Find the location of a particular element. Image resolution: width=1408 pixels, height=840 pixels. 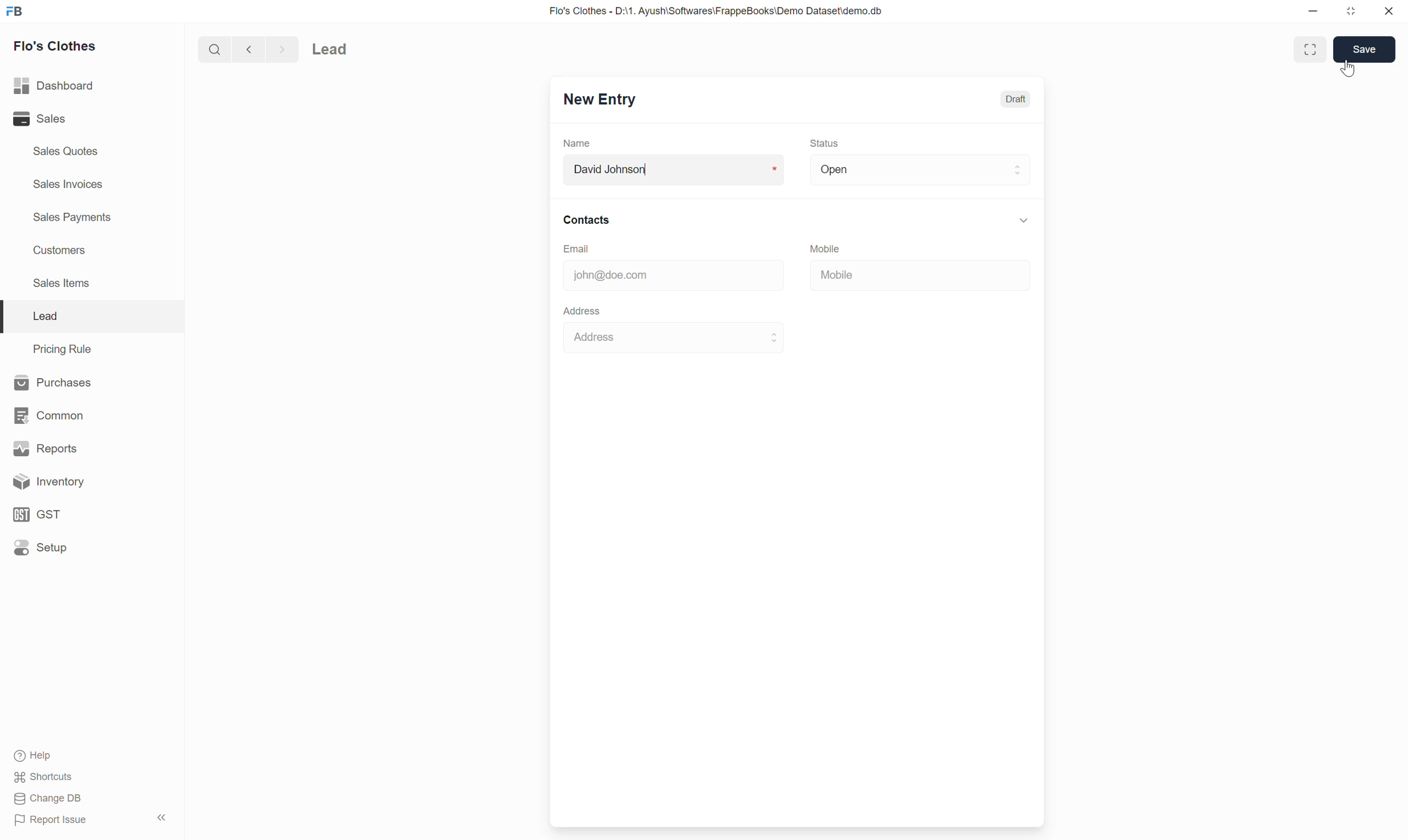

New Entry is located at coordinates (602, 99).